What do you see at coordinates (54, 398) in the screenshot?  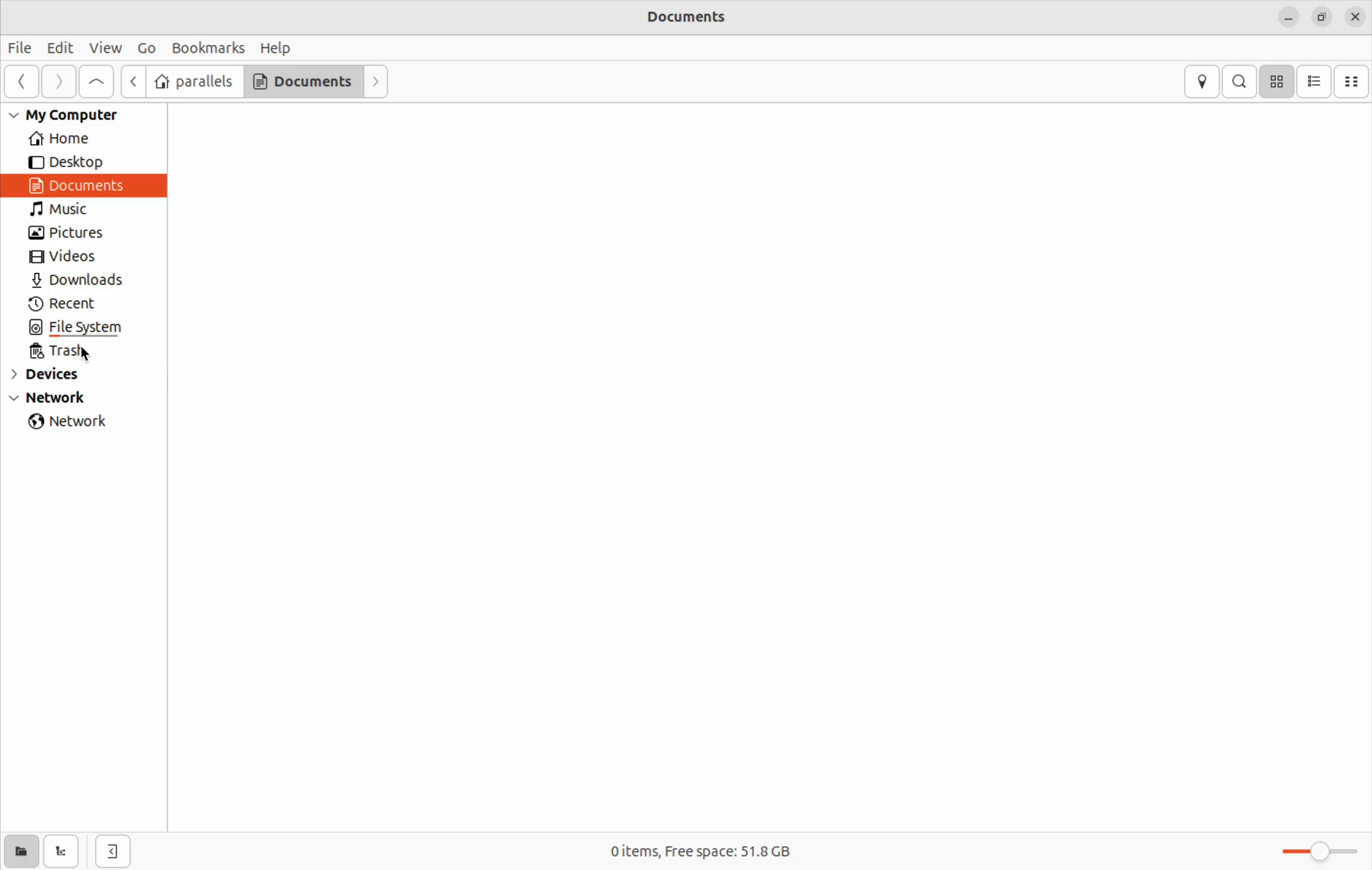 I see `Network` at bounding box center [54, 398].